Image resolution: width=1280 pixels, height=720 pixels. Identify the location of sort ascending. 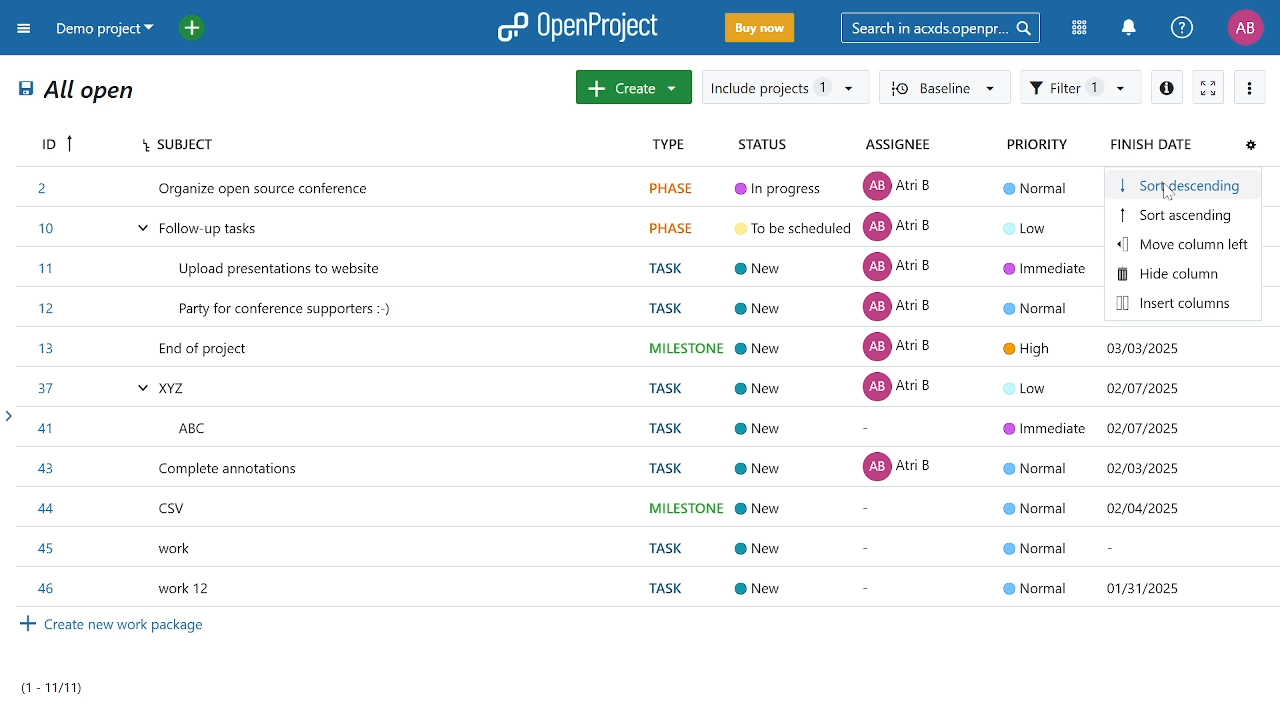
(1186, 216).